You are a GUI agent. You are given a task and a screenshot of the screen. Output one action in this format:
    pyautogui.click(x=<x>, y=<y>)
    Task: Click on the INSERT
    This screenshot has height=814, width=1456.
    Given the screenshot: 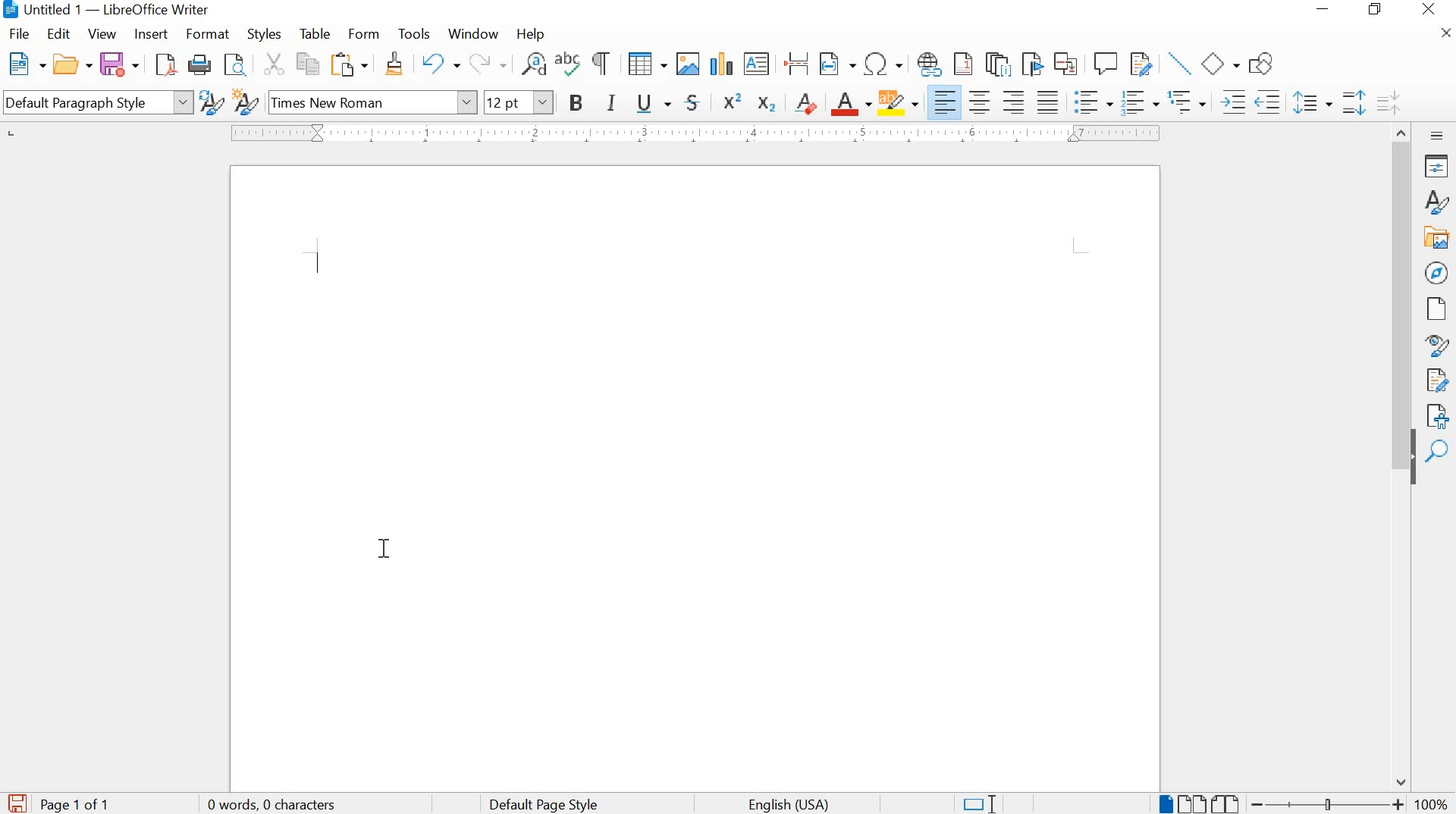 What is the action you would take?
    pyautogui.click(x=149, y=34)
    